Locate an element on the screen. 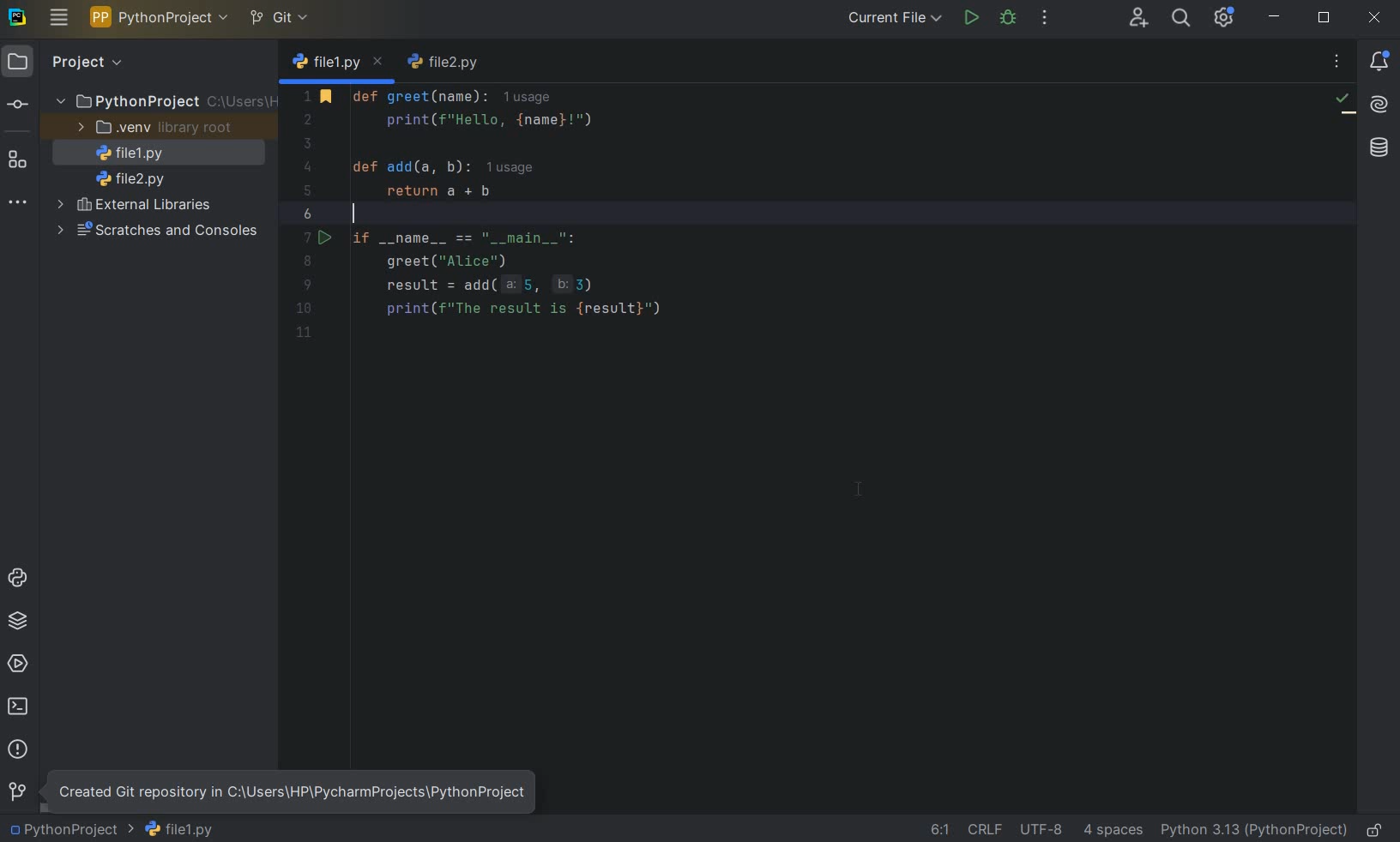 The height and width of the screenshot is (842, 1400). current interpreter is located at coordinates (1253, 830).